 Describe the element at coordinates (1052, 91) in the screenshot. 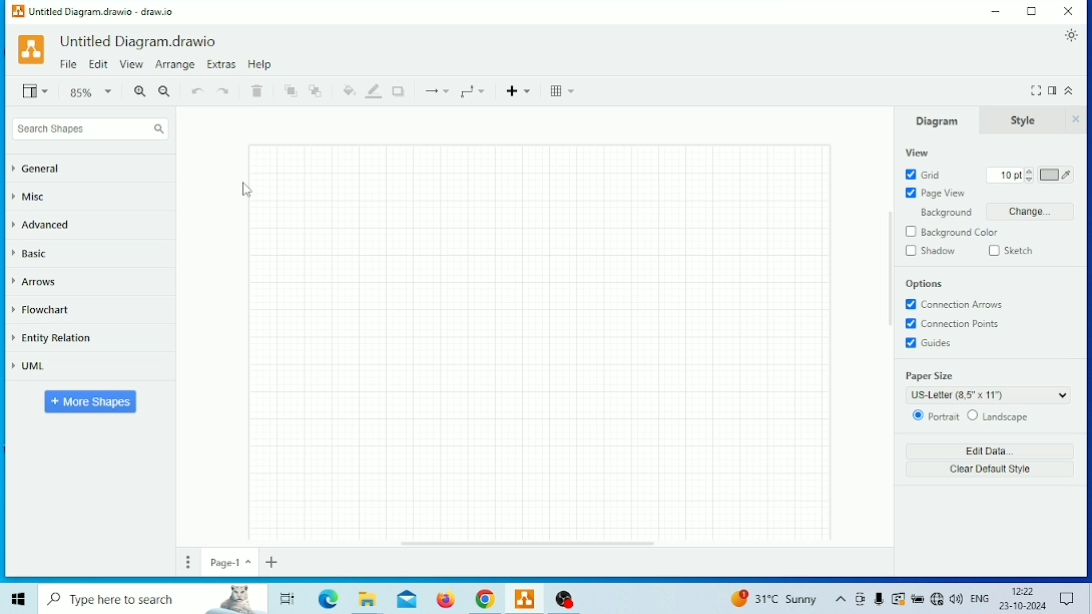

I see `Format` at that location.